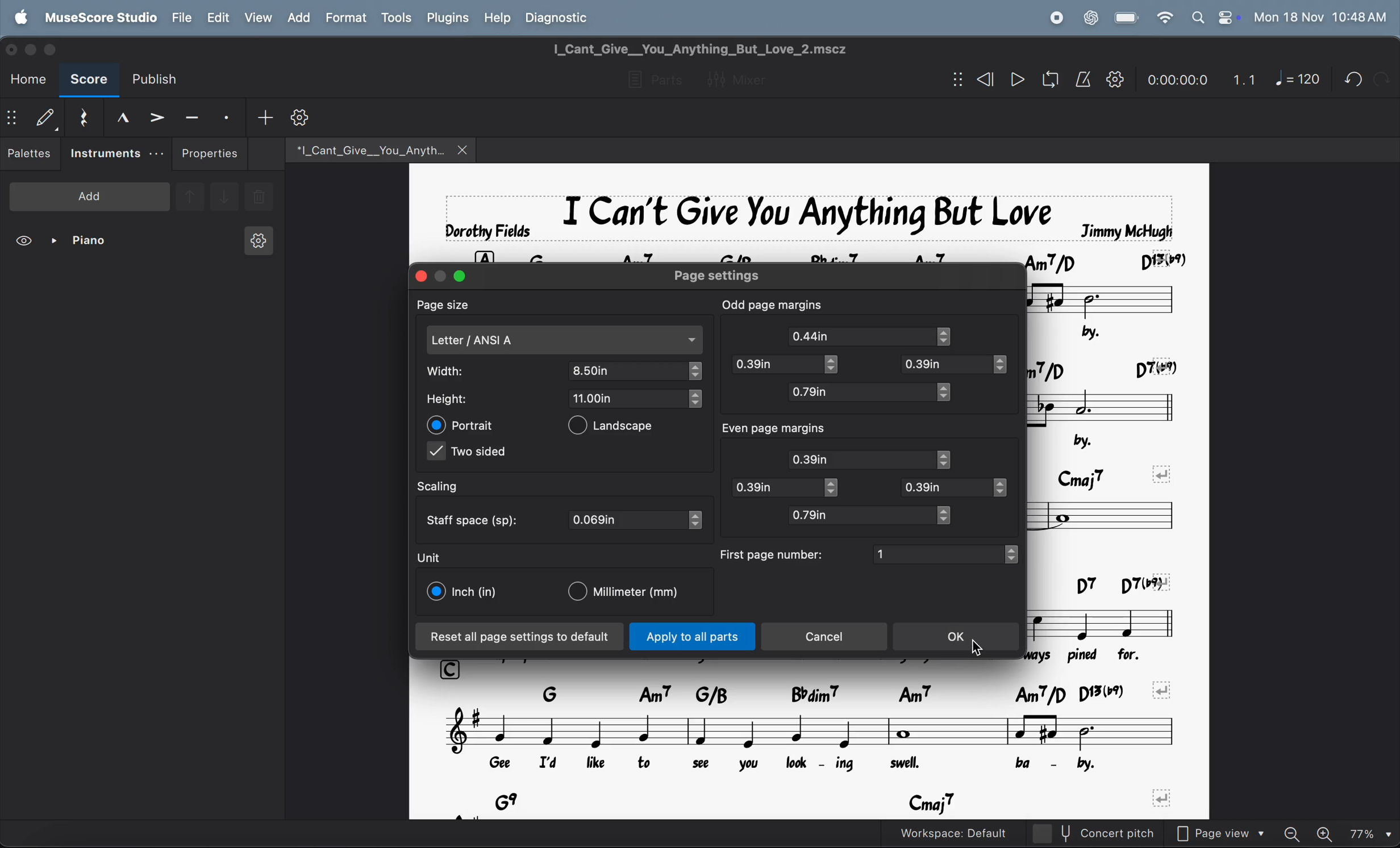  I want to click on play, so click(1017, 81).